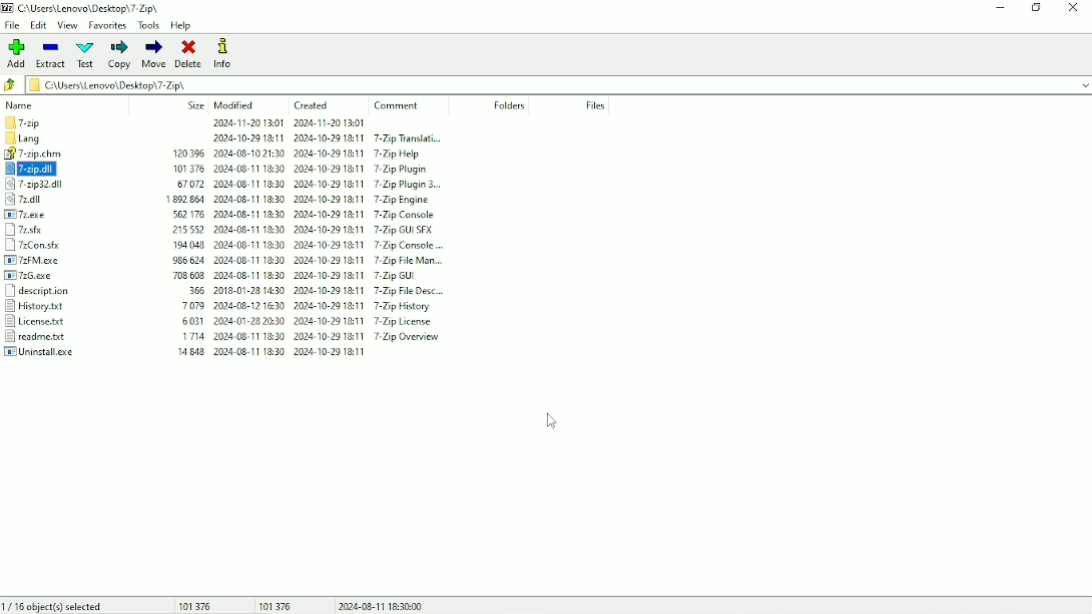  What do you see at coordinates (15, 53) in the screenshot?
I see `Add` at bounding box center [15, 53].